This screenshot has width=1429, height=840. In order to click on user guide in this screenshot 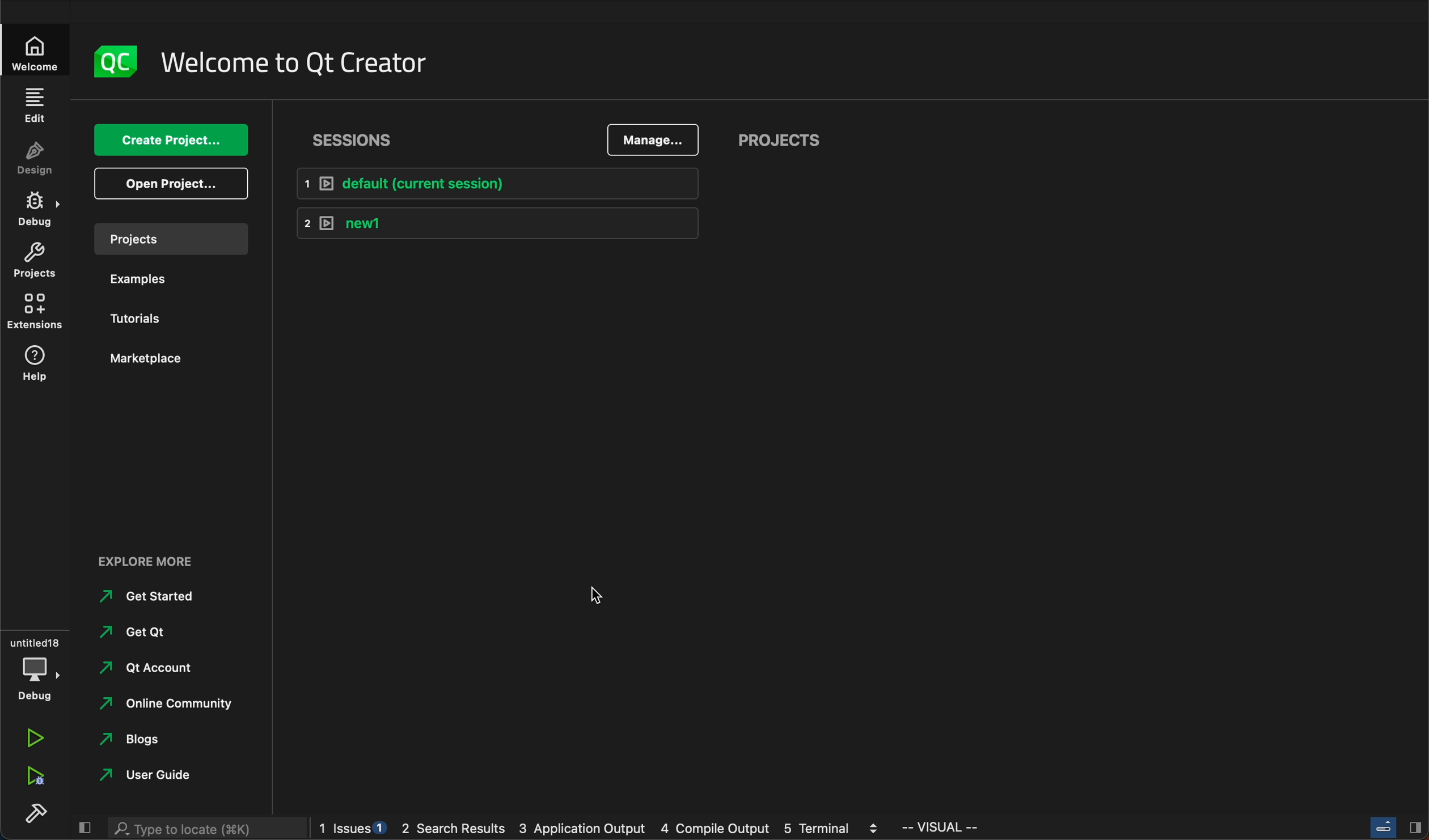, I will do `click(149, 777)`.